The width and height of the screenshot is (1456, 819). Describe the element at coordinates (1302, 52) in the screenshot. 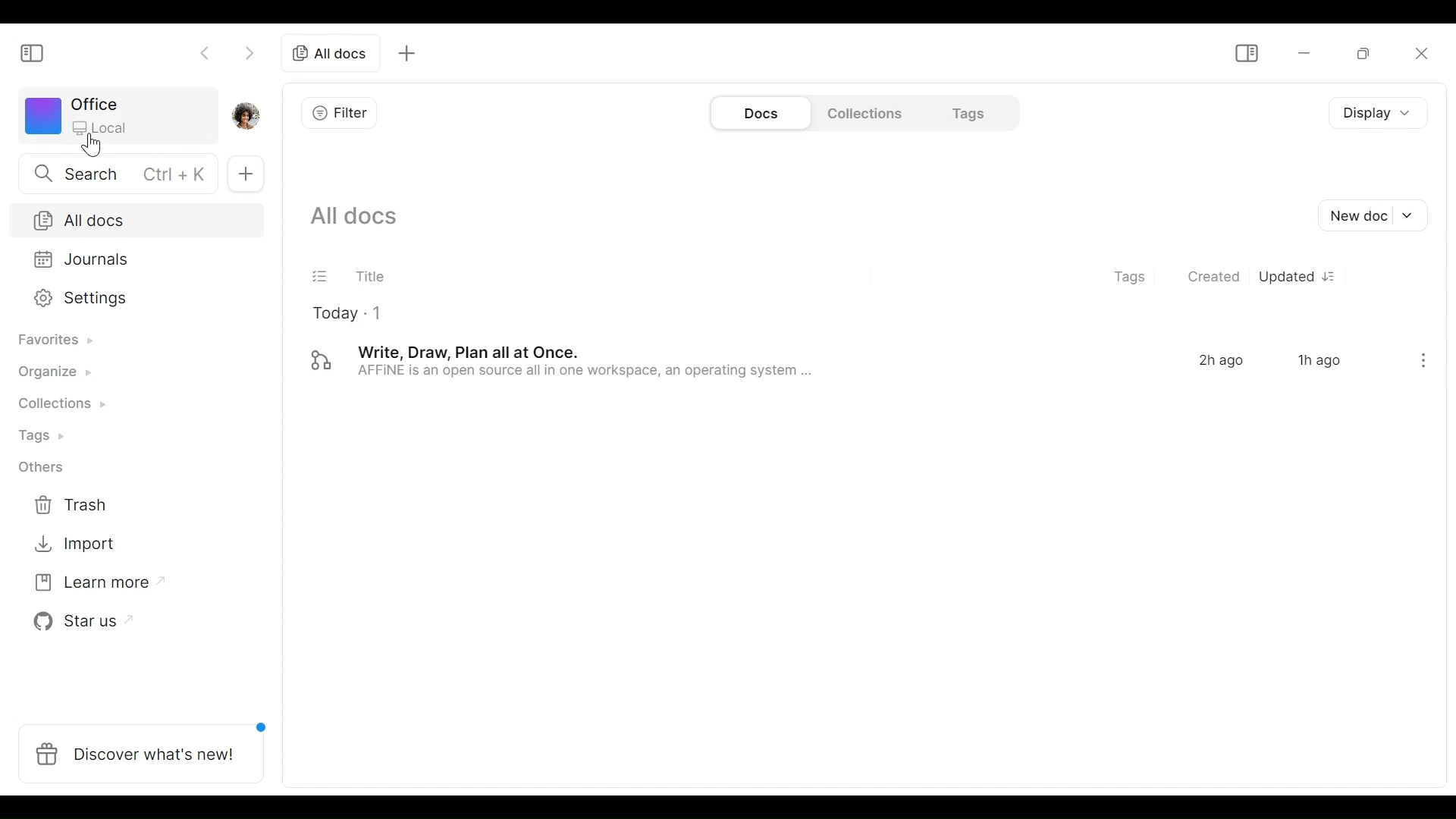

I see `minimize` at that location.